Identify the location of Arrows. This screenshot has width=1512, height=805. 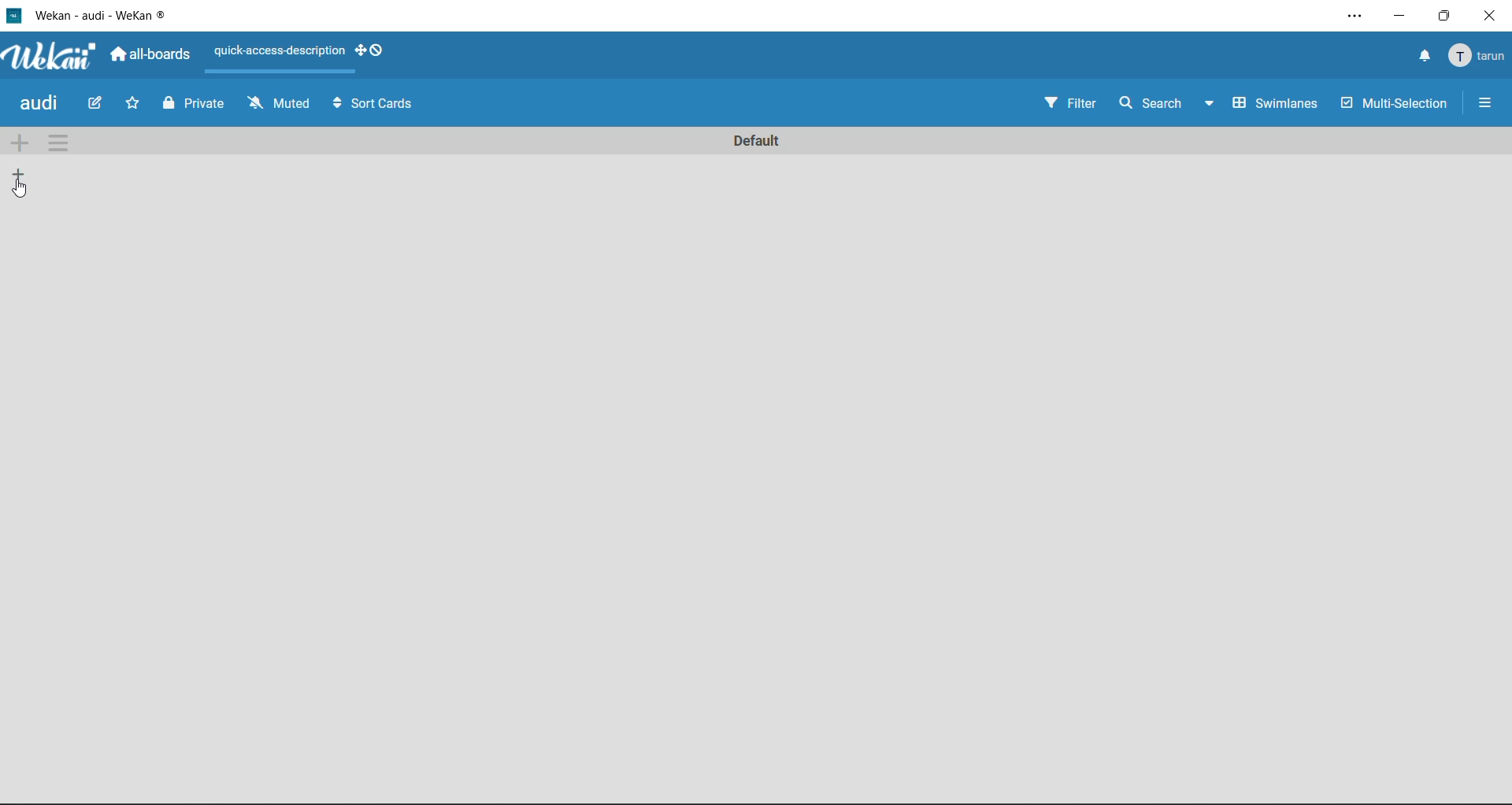
(334, 107).